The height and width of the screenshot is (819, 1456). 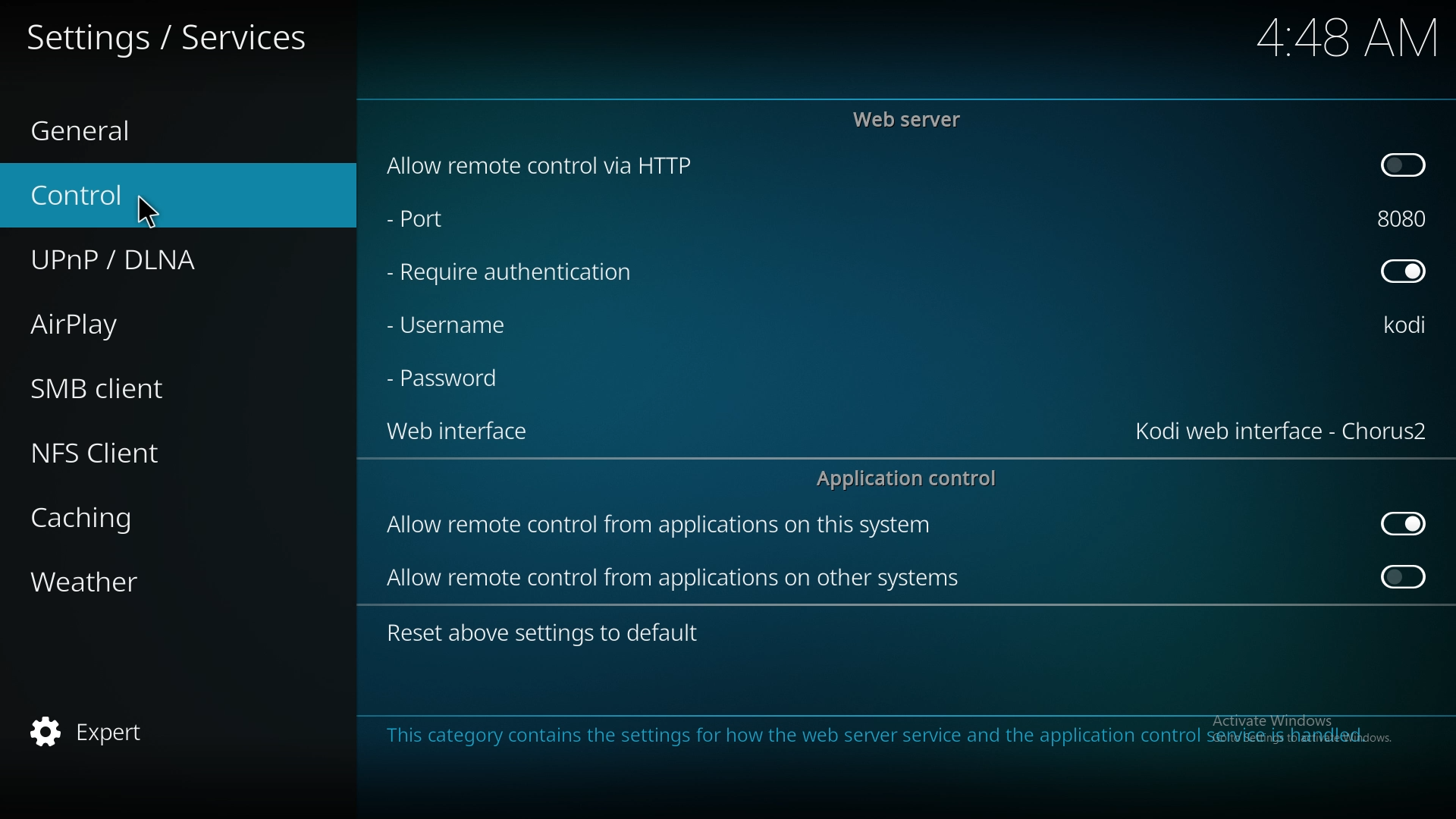 What do you see at coordinates (1406, 167) in the screenshot?
I see `on` at bounding box center [1406, 167].